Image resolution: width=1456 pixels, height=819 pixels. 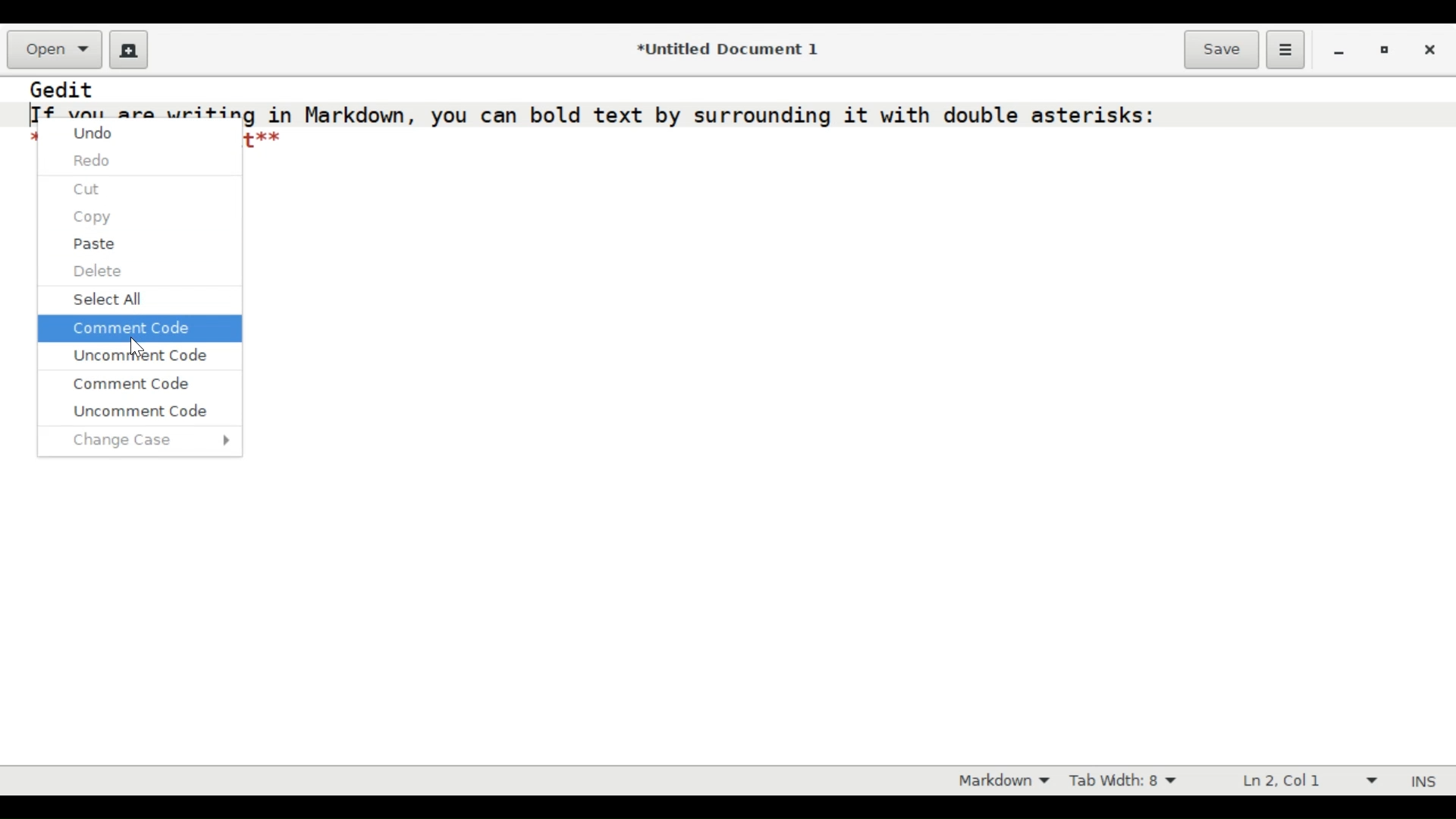 What do you see at coordinates (1384, 51) in the screenshot?
I see `Restore` at bounding box center [1384, 51].